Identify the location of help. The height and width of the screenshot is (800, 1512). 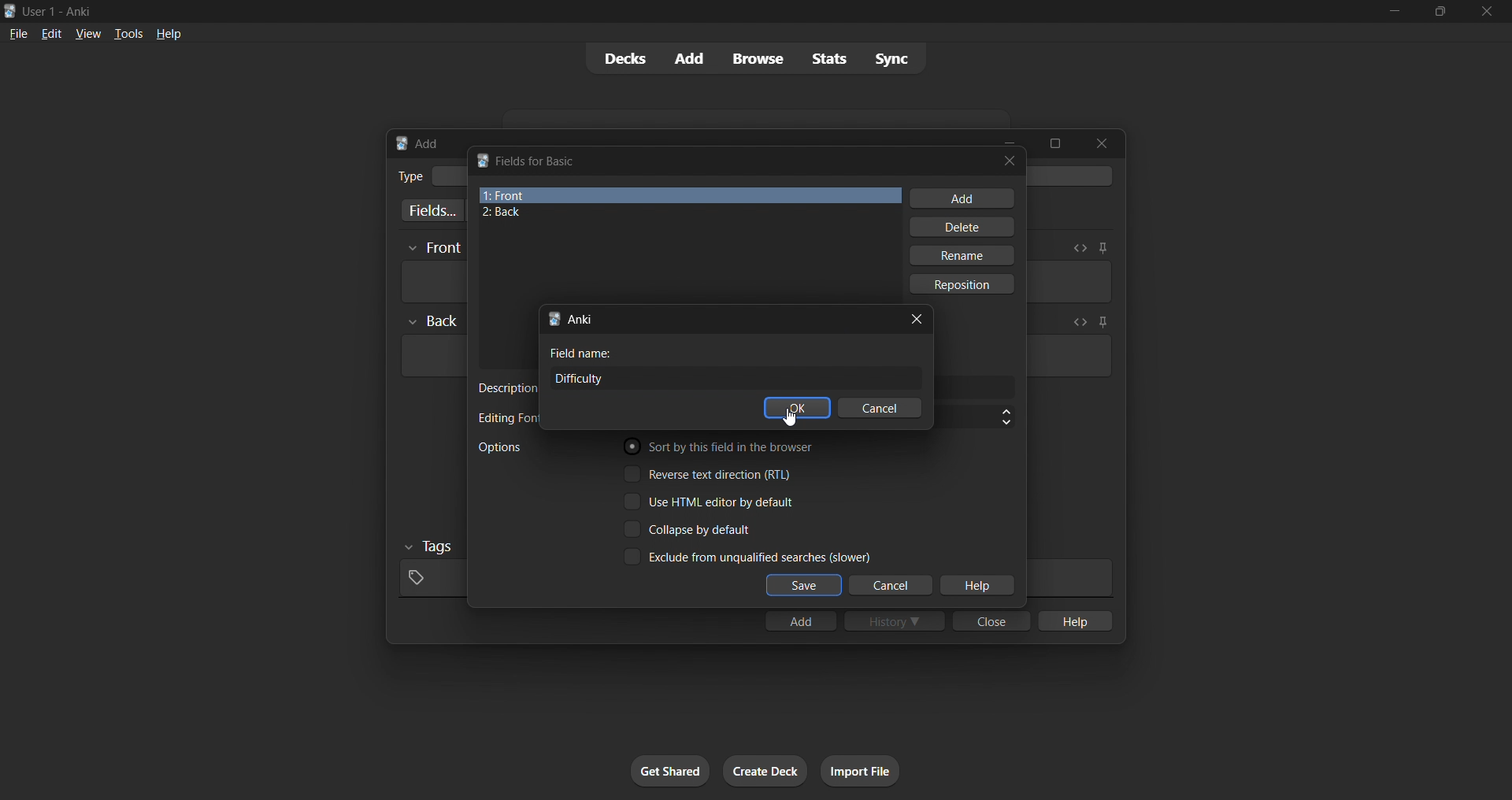
(169, 34).